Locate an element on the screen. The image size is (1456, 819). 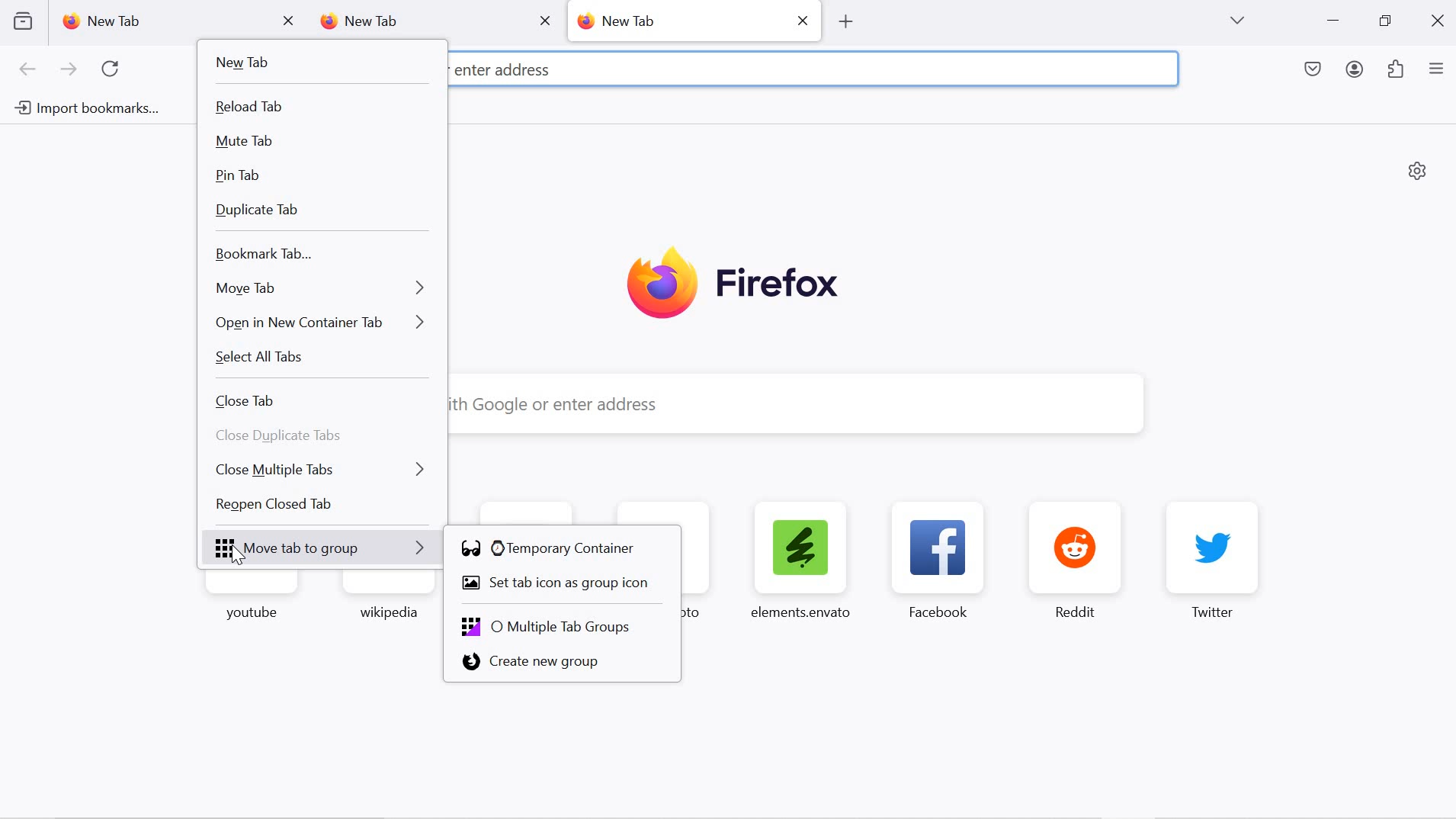
restore down is located at coordinates (1384, 21).